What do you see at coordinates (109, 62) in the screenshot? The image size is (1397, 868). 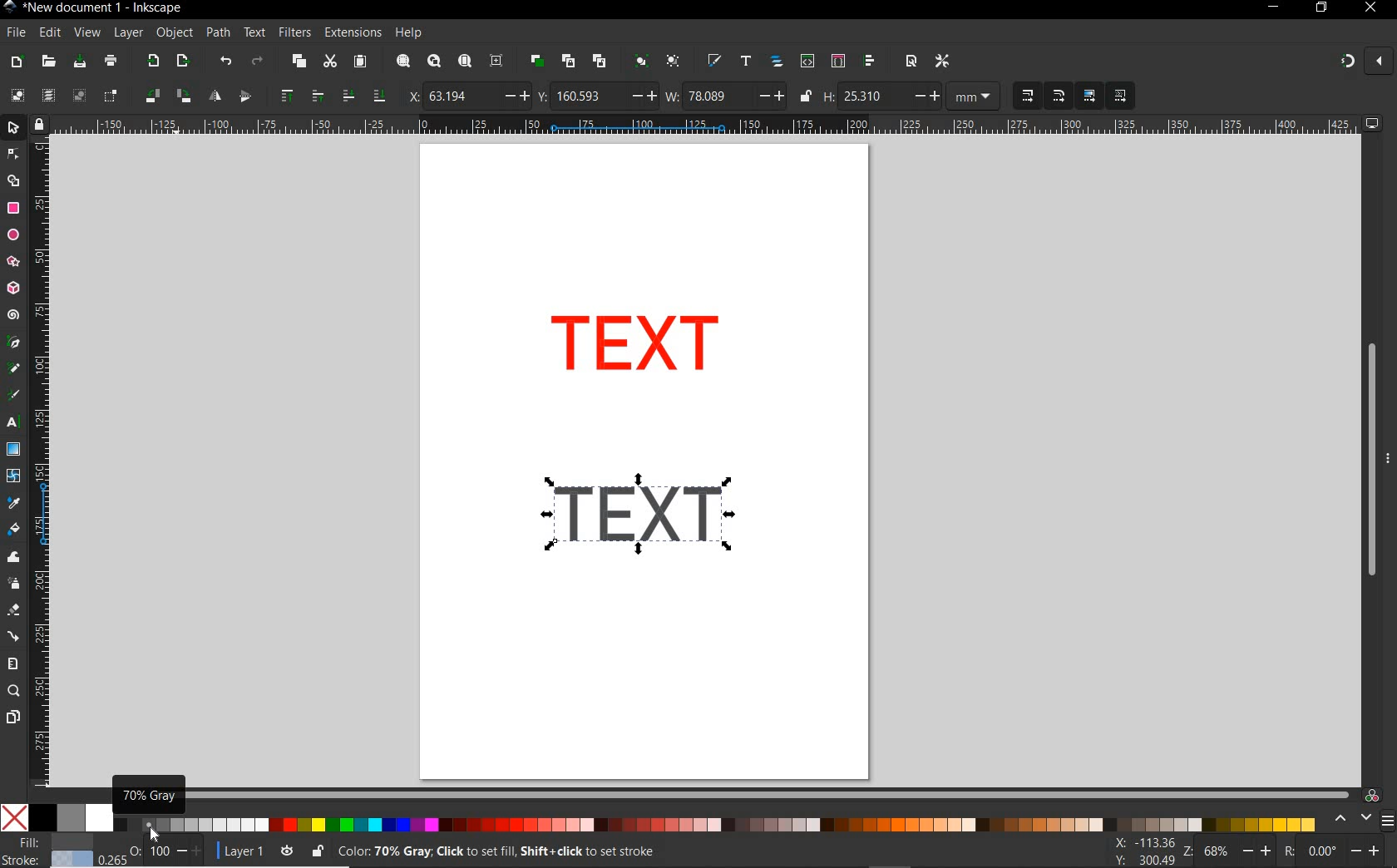 I see `print` at bounding box center [109, 62].